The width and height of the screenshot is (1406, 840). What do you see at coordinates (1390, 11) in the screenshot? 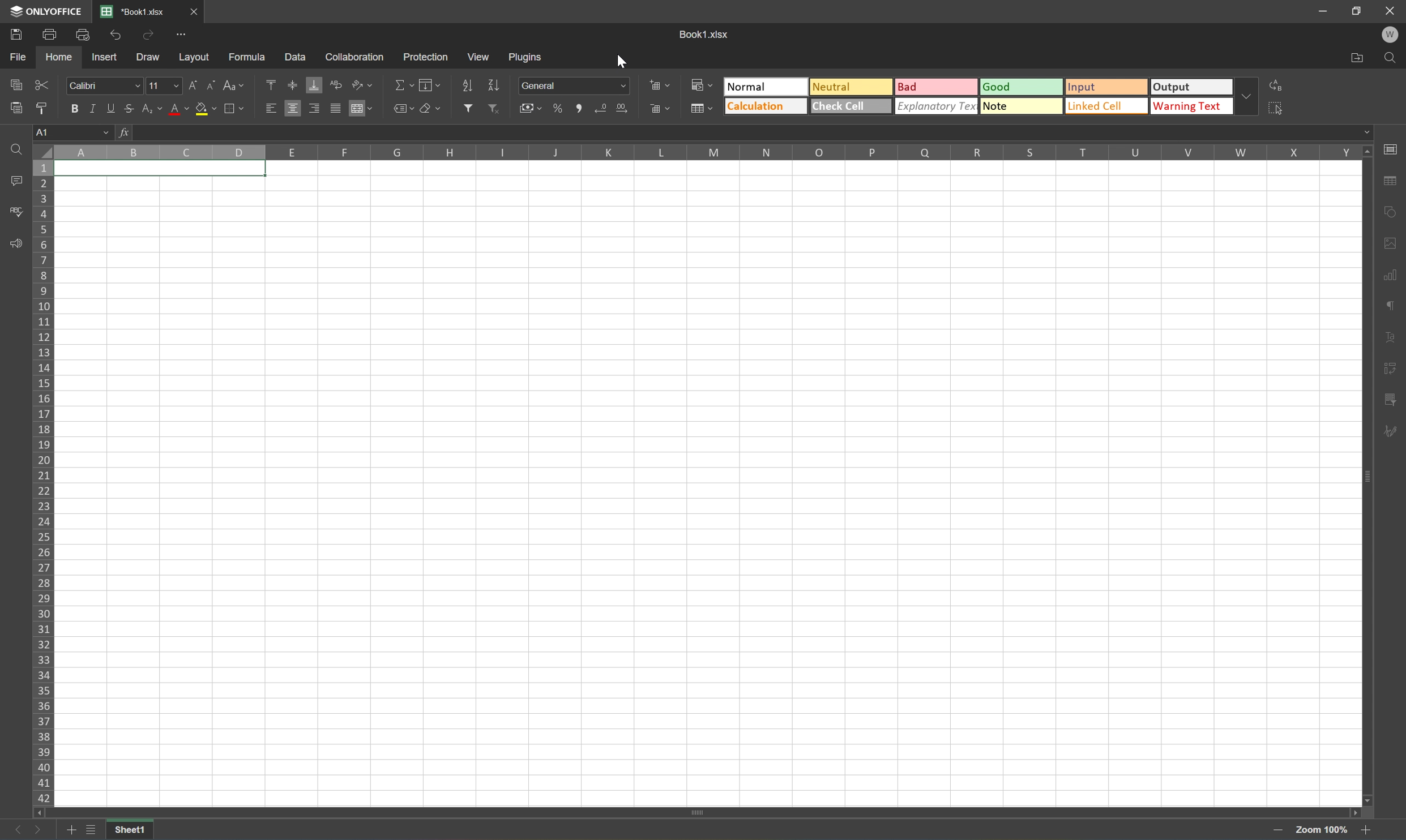
I see `Close` at bounding box center [1390, 11].